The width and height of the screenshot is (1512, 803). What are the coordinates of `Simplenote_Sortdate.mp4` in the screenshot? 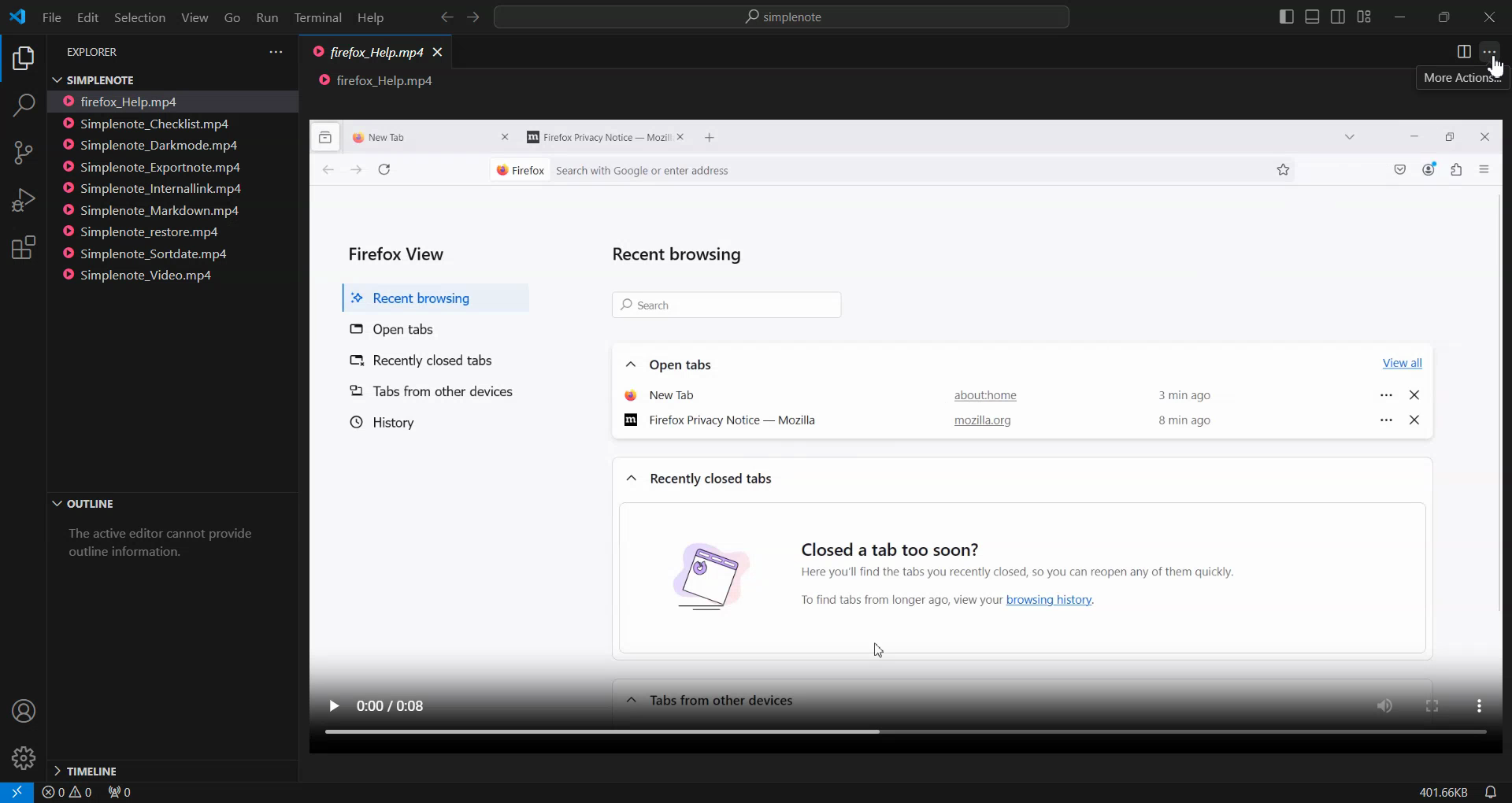 It's located at (151, 253).